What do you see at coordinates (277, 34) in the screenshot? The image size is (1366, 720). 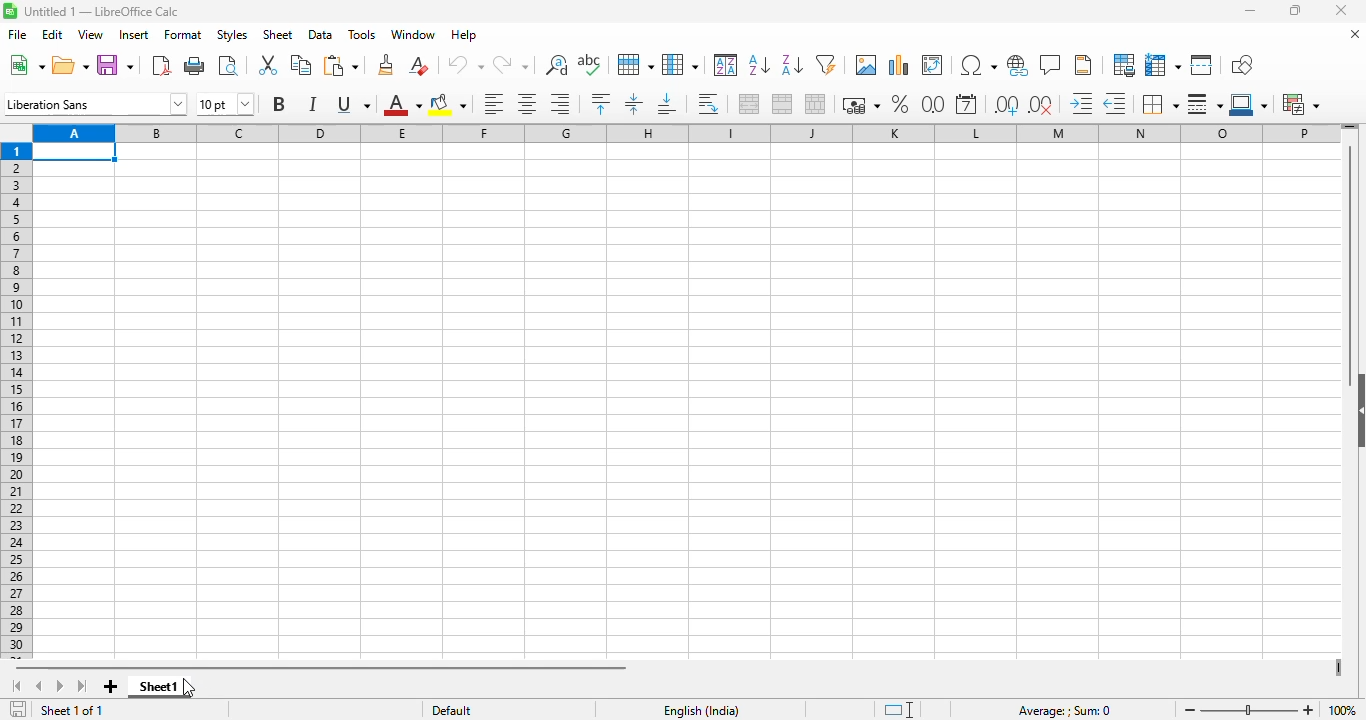 I see `sheet` at bounding box center [277, 34].